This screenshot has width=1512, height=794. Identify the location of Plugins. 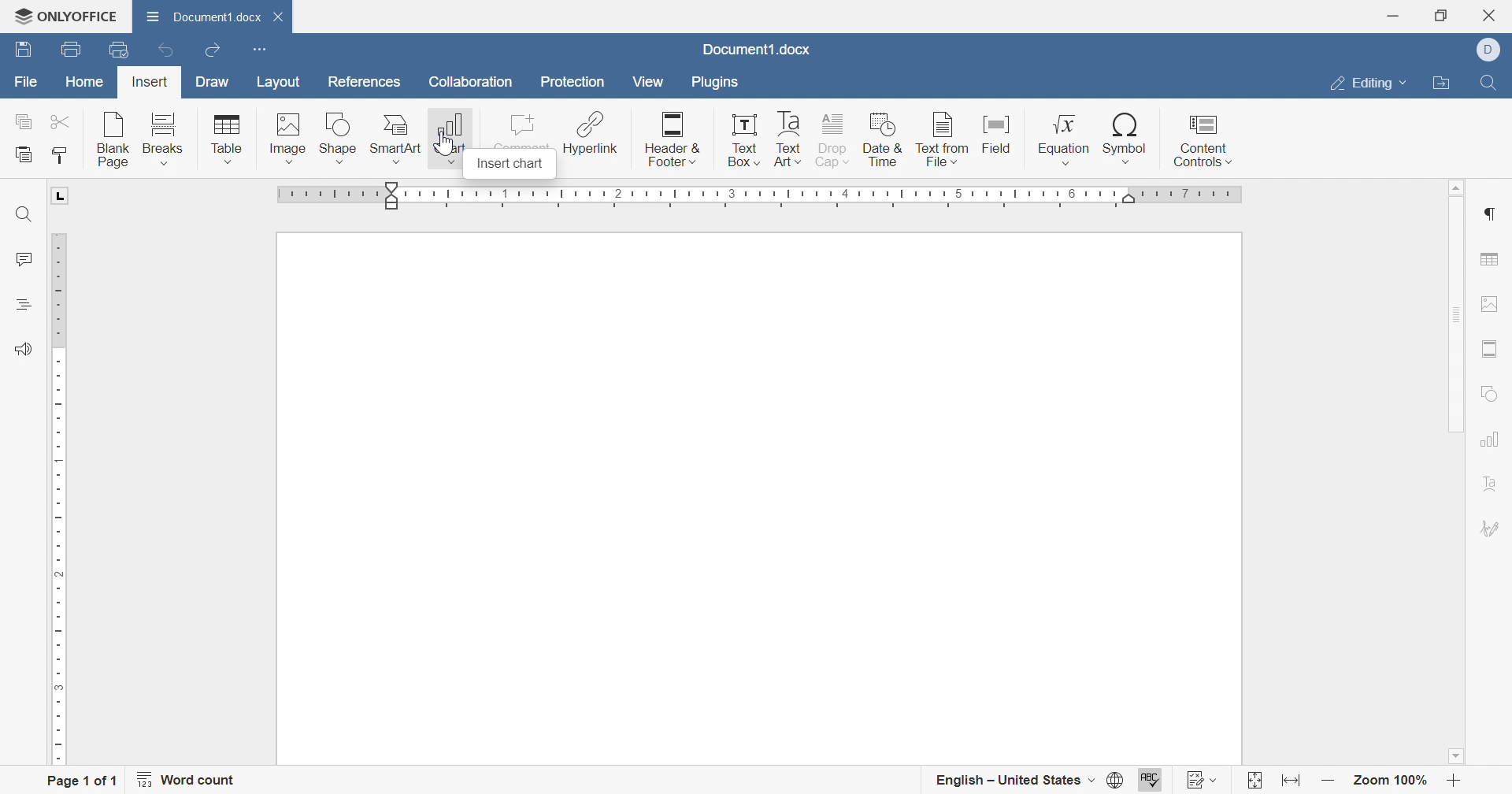
(721, 83).